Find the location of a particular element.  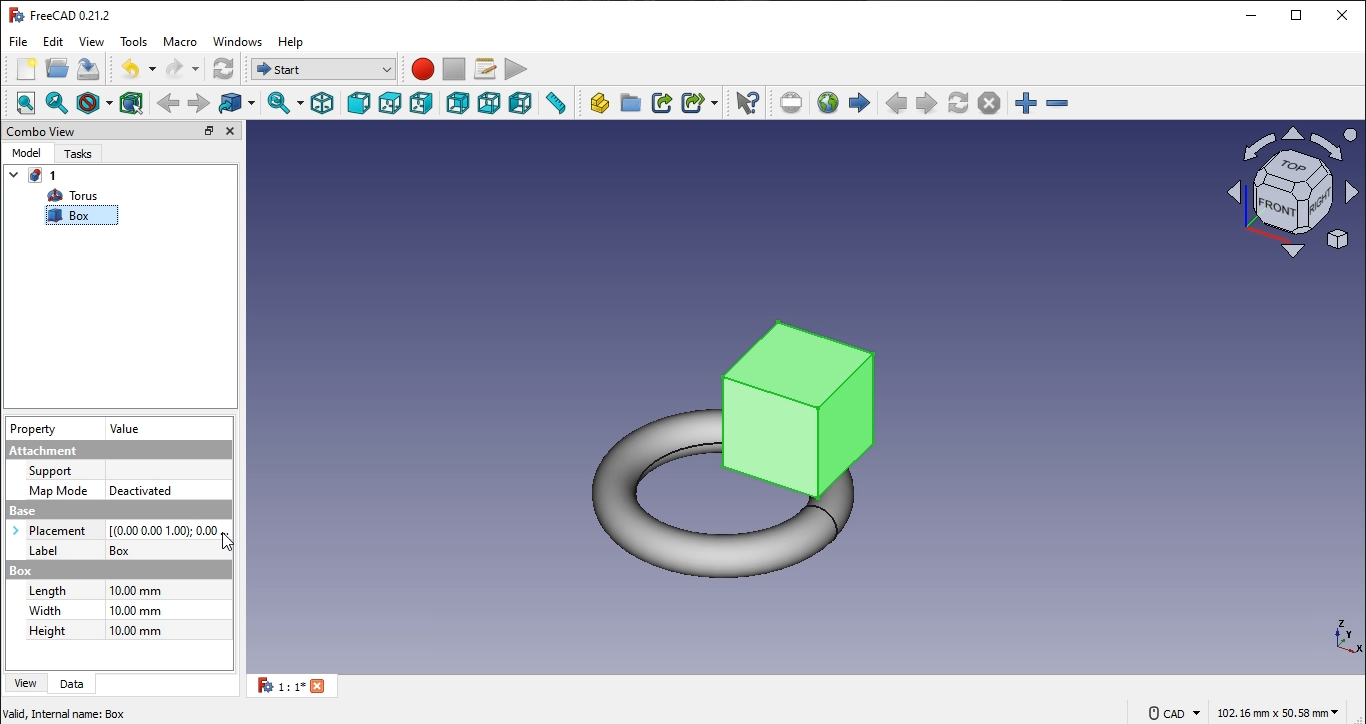

left is located at coordinates (521, 103).